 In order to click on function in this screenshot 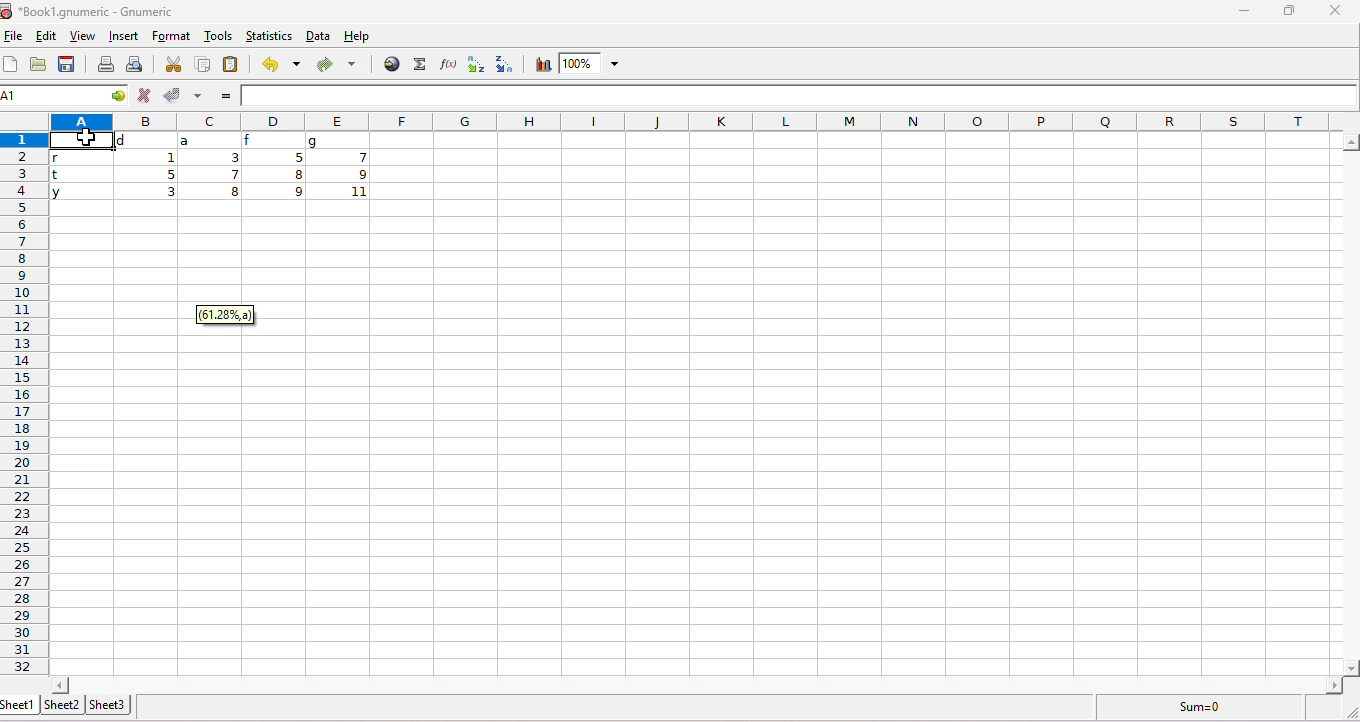, I will do `click(417, 64)`.